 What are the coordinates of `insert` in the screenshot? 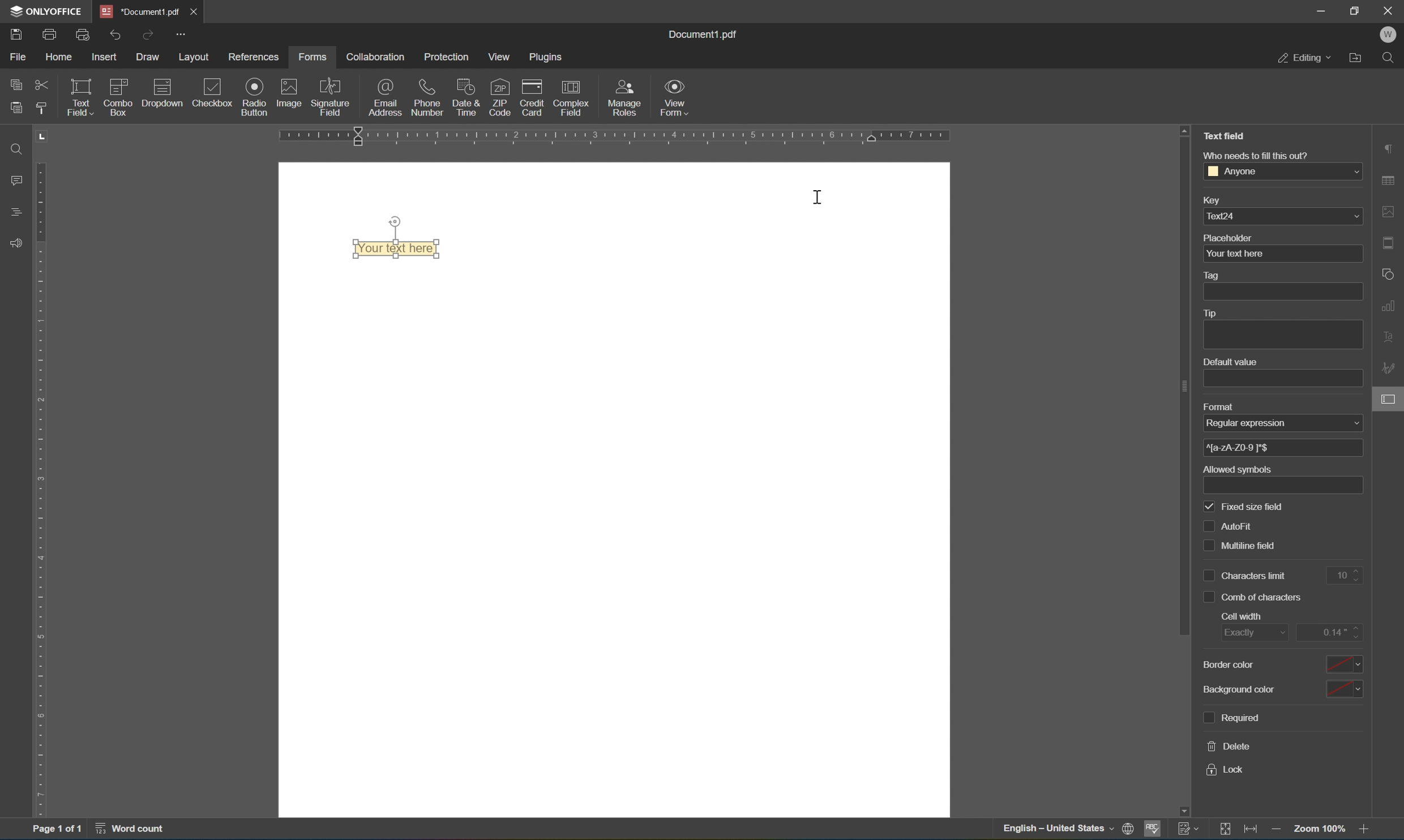 It's located at (106, 58).